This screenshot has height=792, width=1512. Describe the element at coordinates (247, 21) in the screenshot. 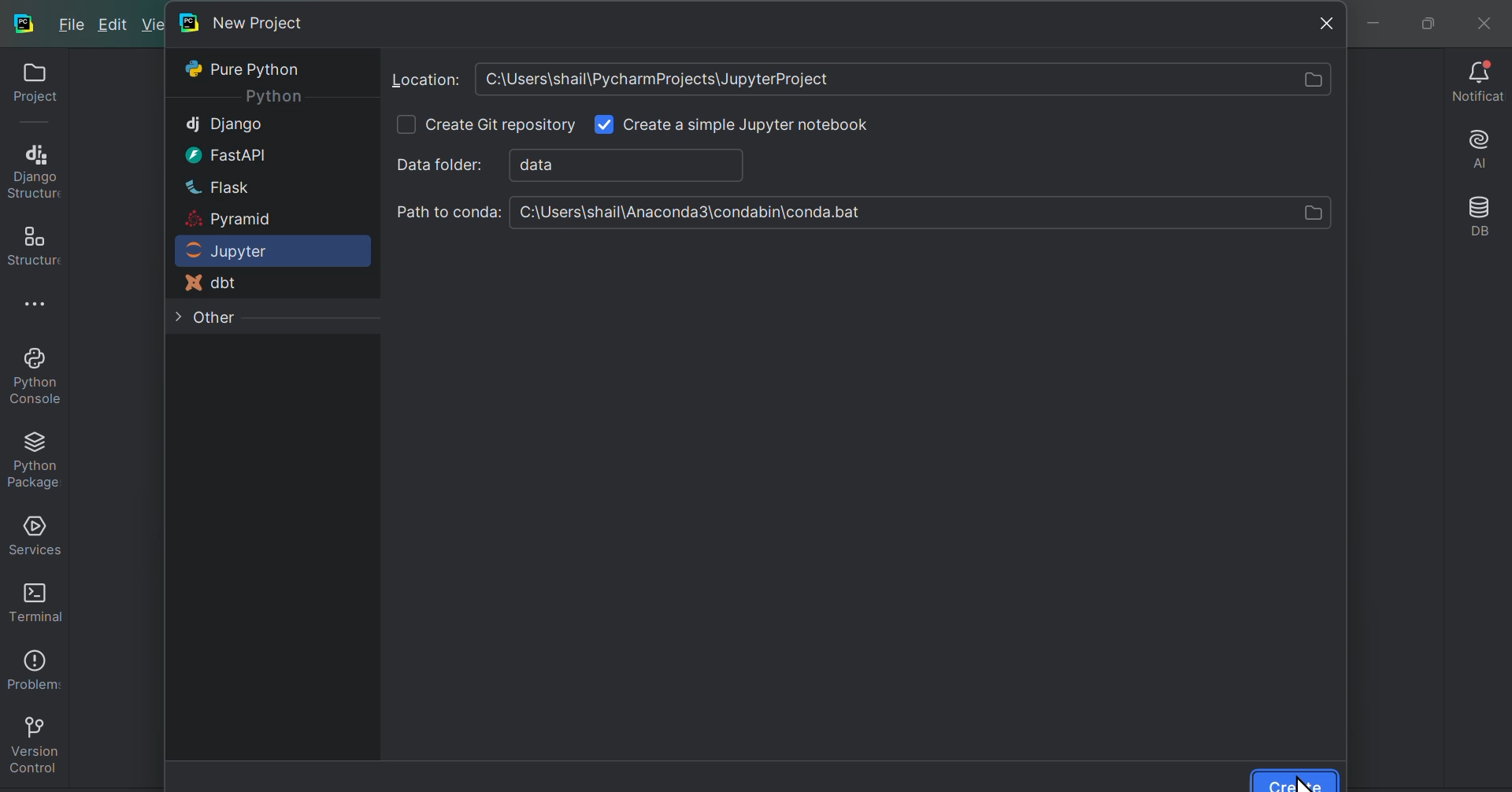

I see `New project` at that location.